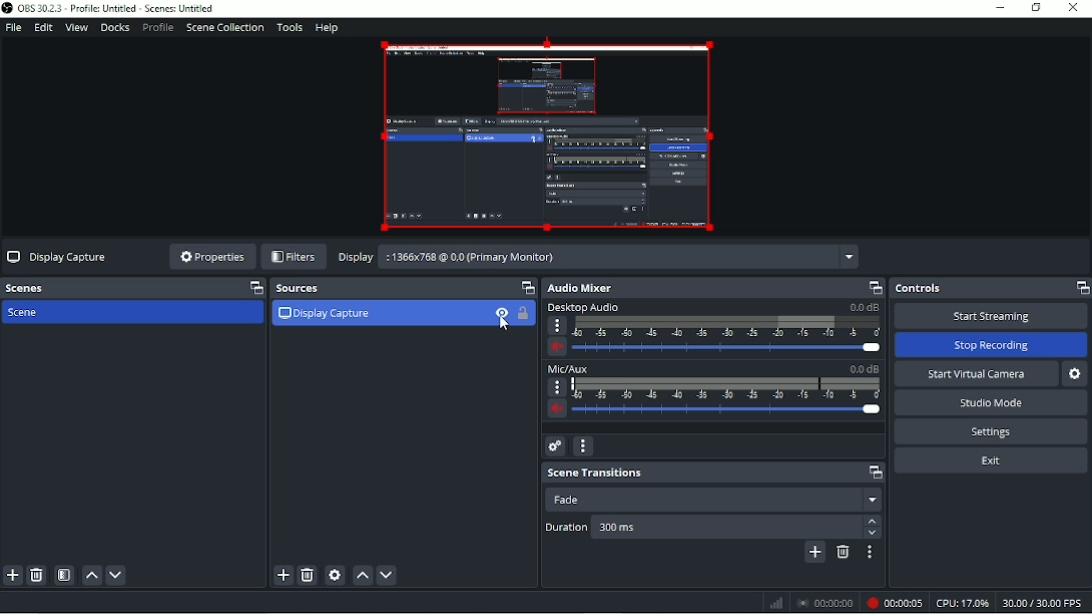  What do you see at coordinates (815, 554) in the screenshot?
I see `Add configurable transition` at bounding box center [815, 554].